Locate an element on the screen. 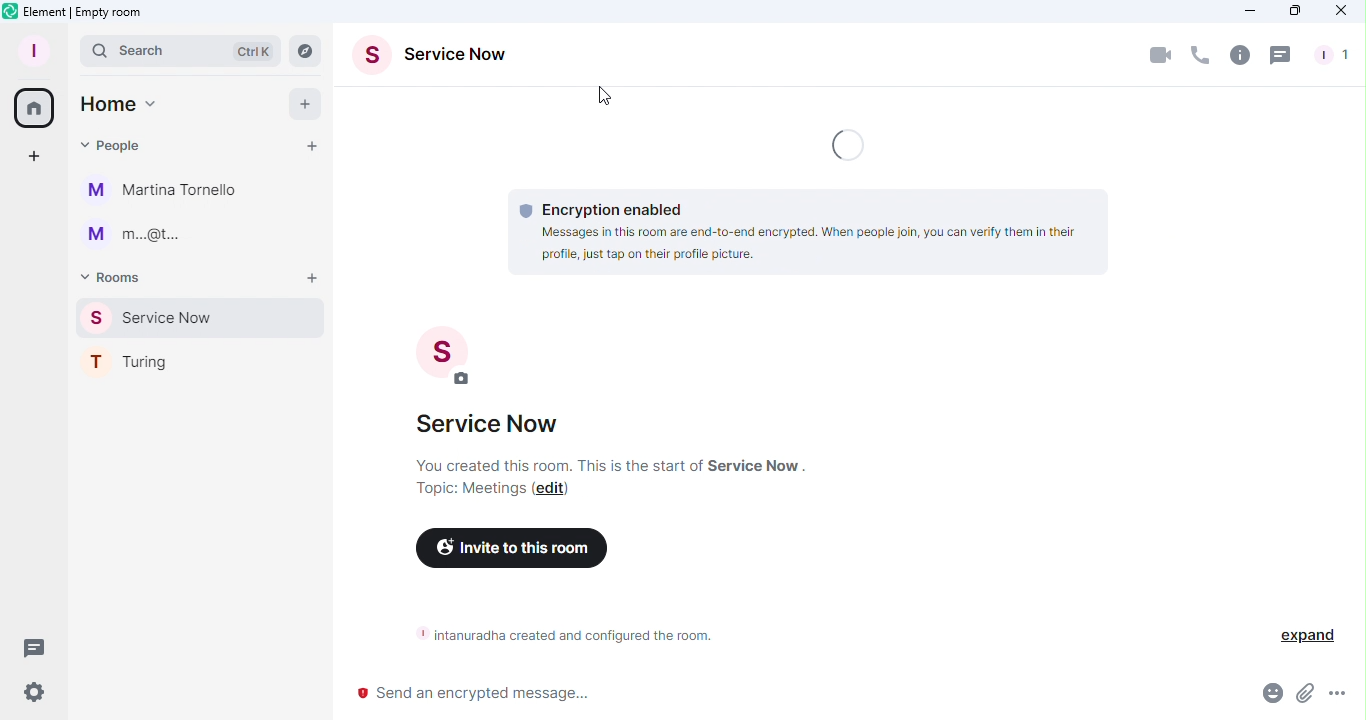 This screenshot has height=720, width=1366. Martina Tornello is located at coordinates (165, 191).